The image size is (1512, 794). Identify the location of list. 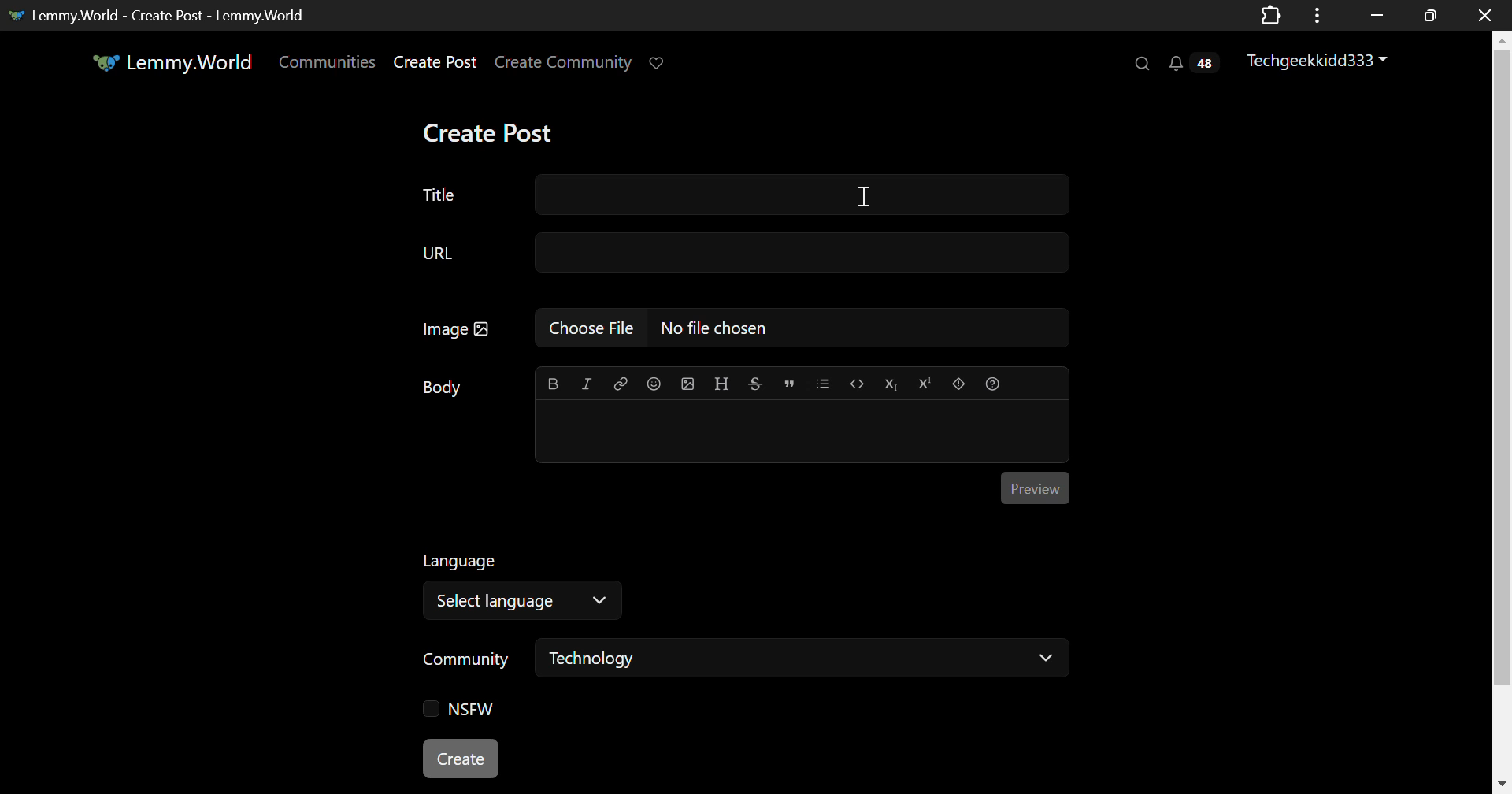
(824, 382).